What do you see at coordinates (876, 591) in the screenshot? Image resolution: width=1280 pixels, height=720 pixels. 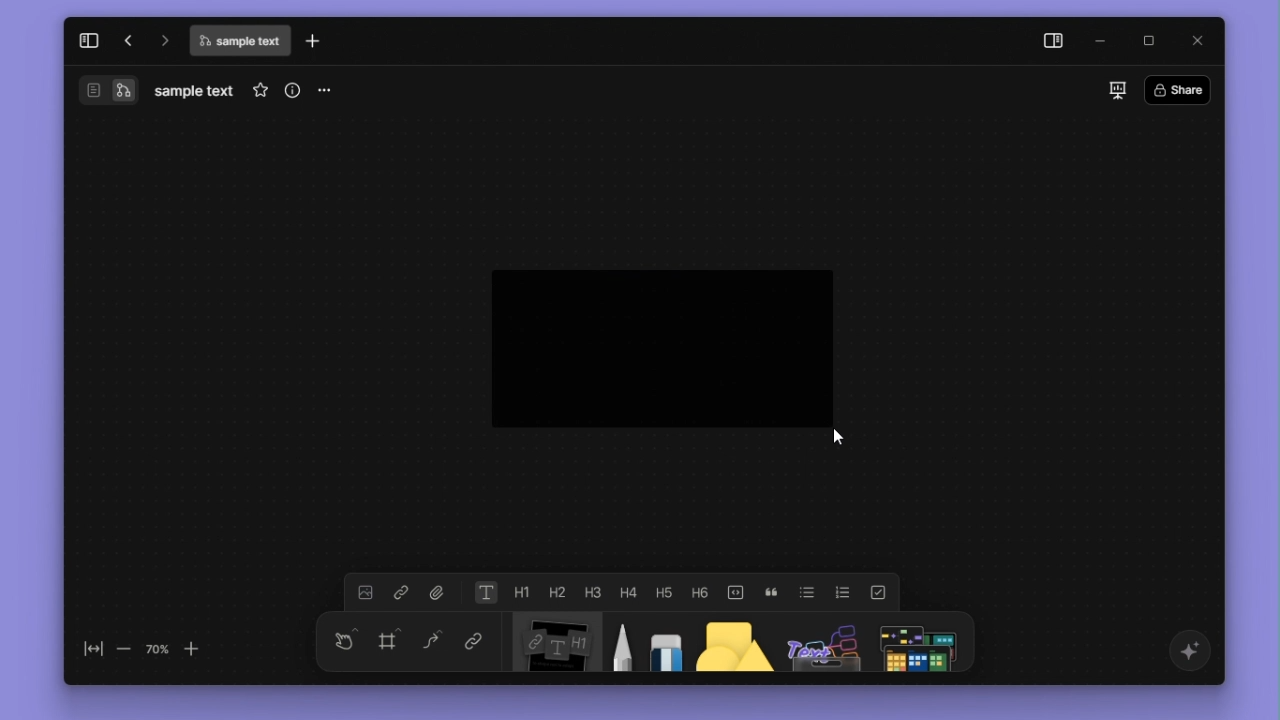 I see `to do list` at bounding box center [876, 591].